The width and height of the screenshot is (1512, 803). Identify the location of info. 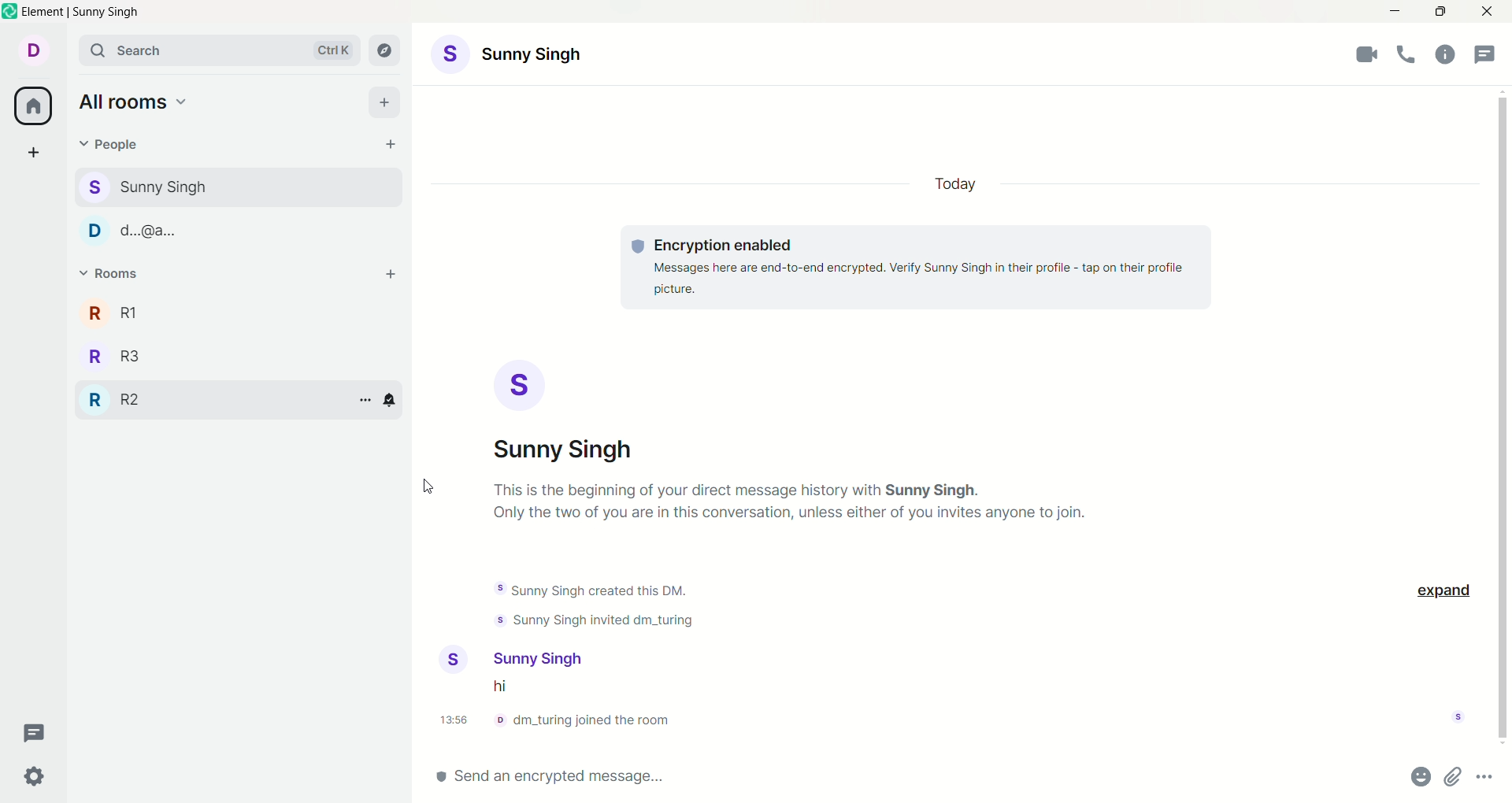
(589, 720).